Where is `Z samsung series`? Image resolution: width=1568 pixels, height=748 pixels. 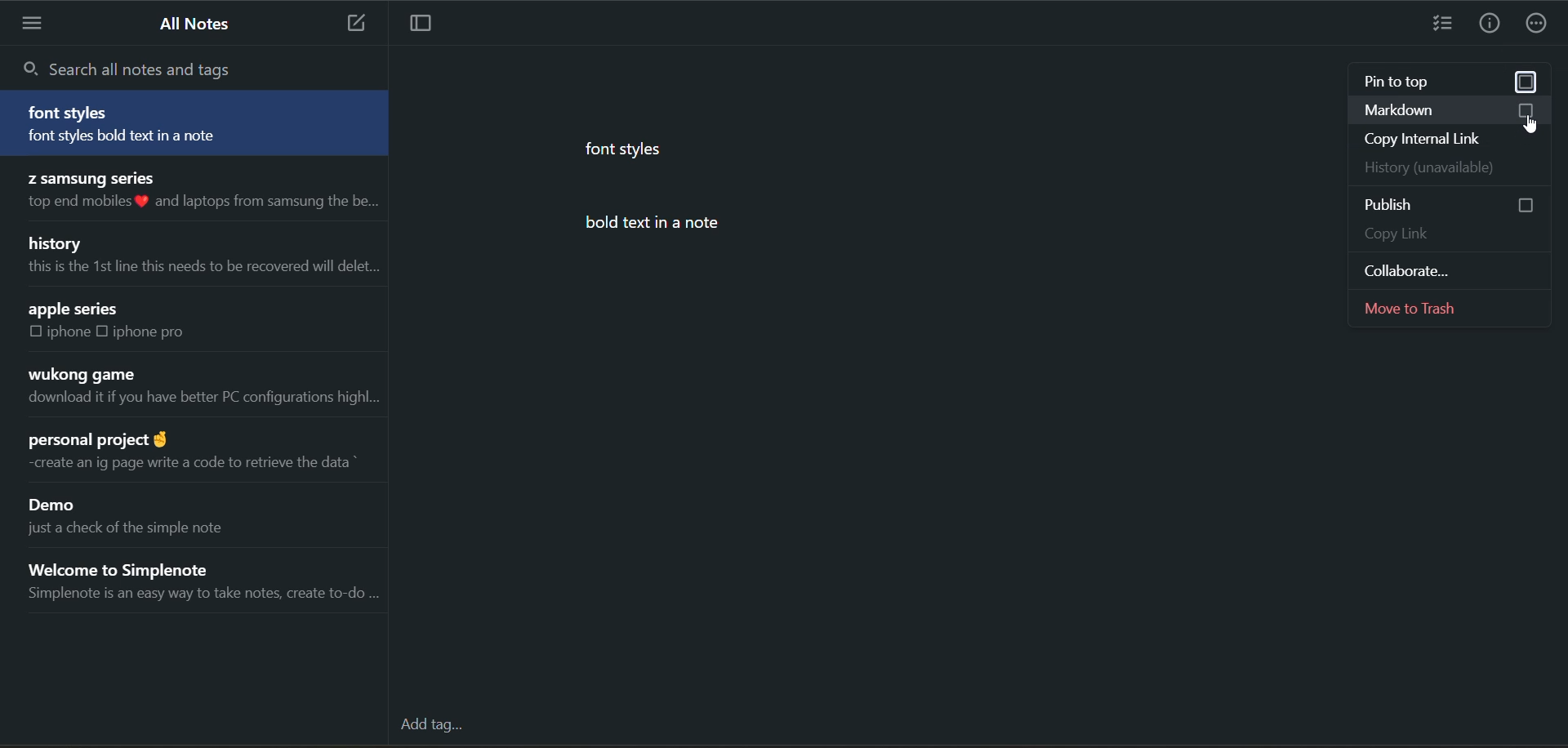 Z samsung series is located at coordinates (89, 176).